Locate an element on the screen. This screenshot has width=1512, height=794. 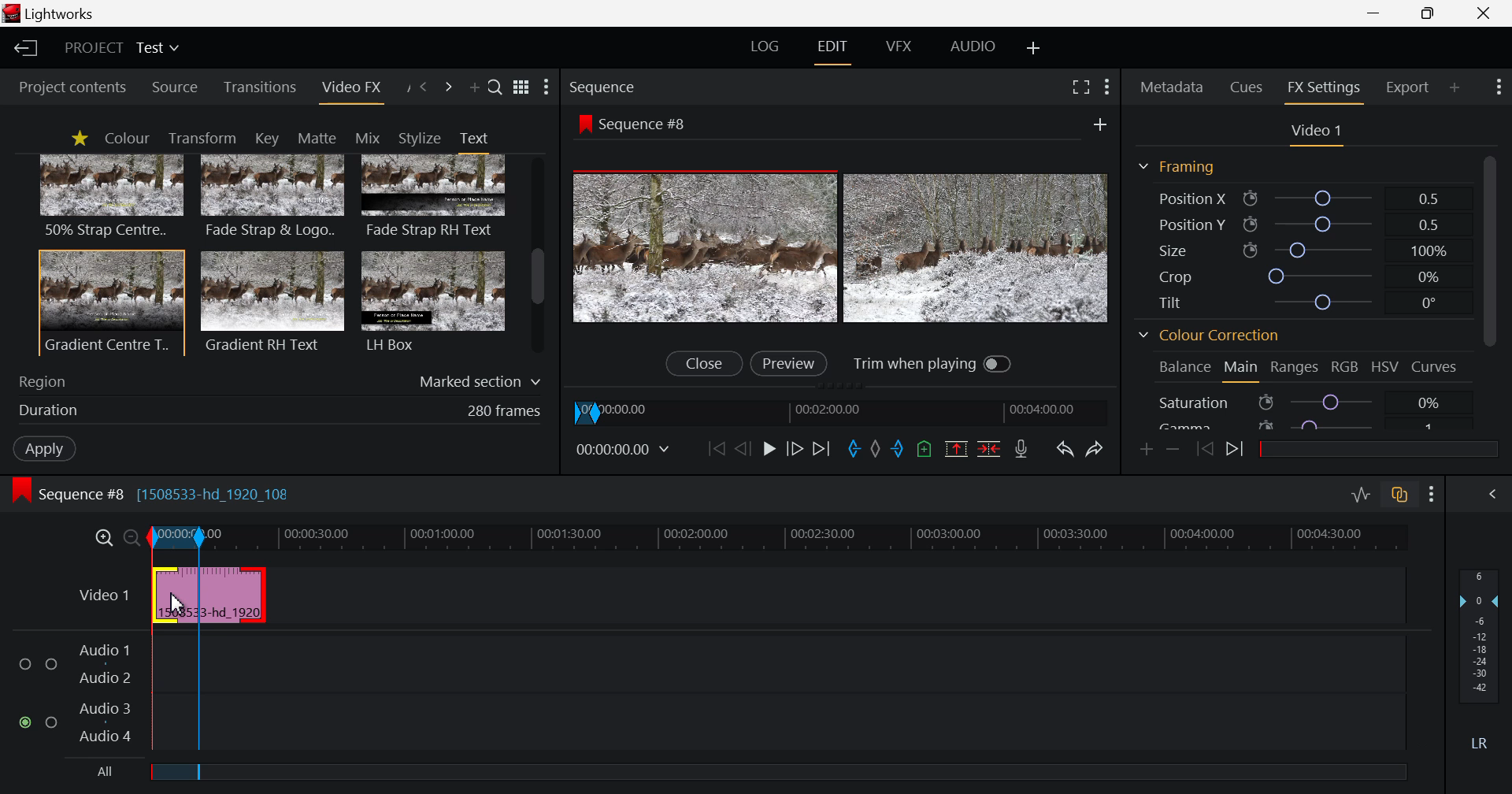
Timeline Zoom In is located at coordinates (104, 536).